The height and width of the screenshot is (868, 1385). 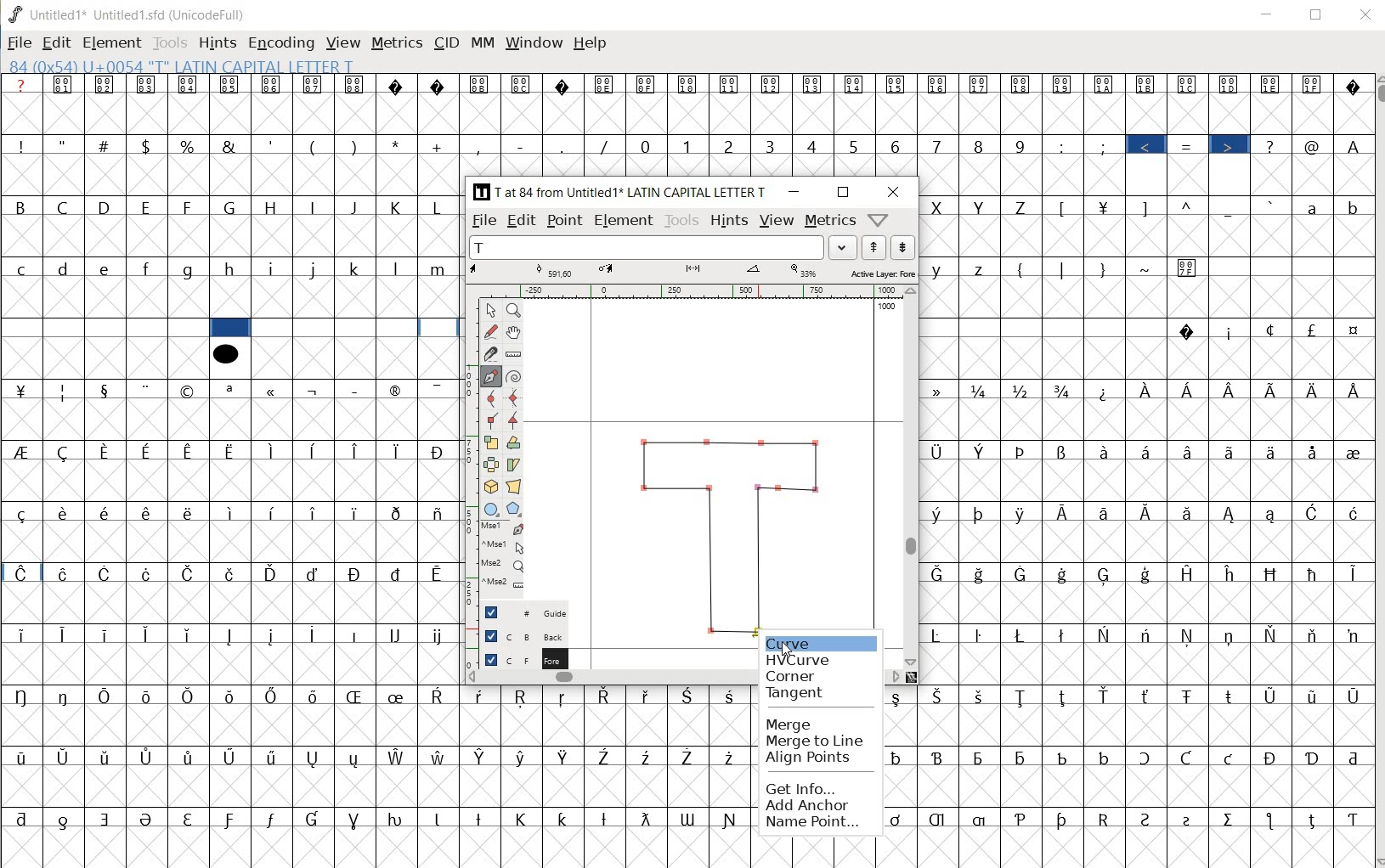 I want to click on metrics, so click(x=829, y=223).